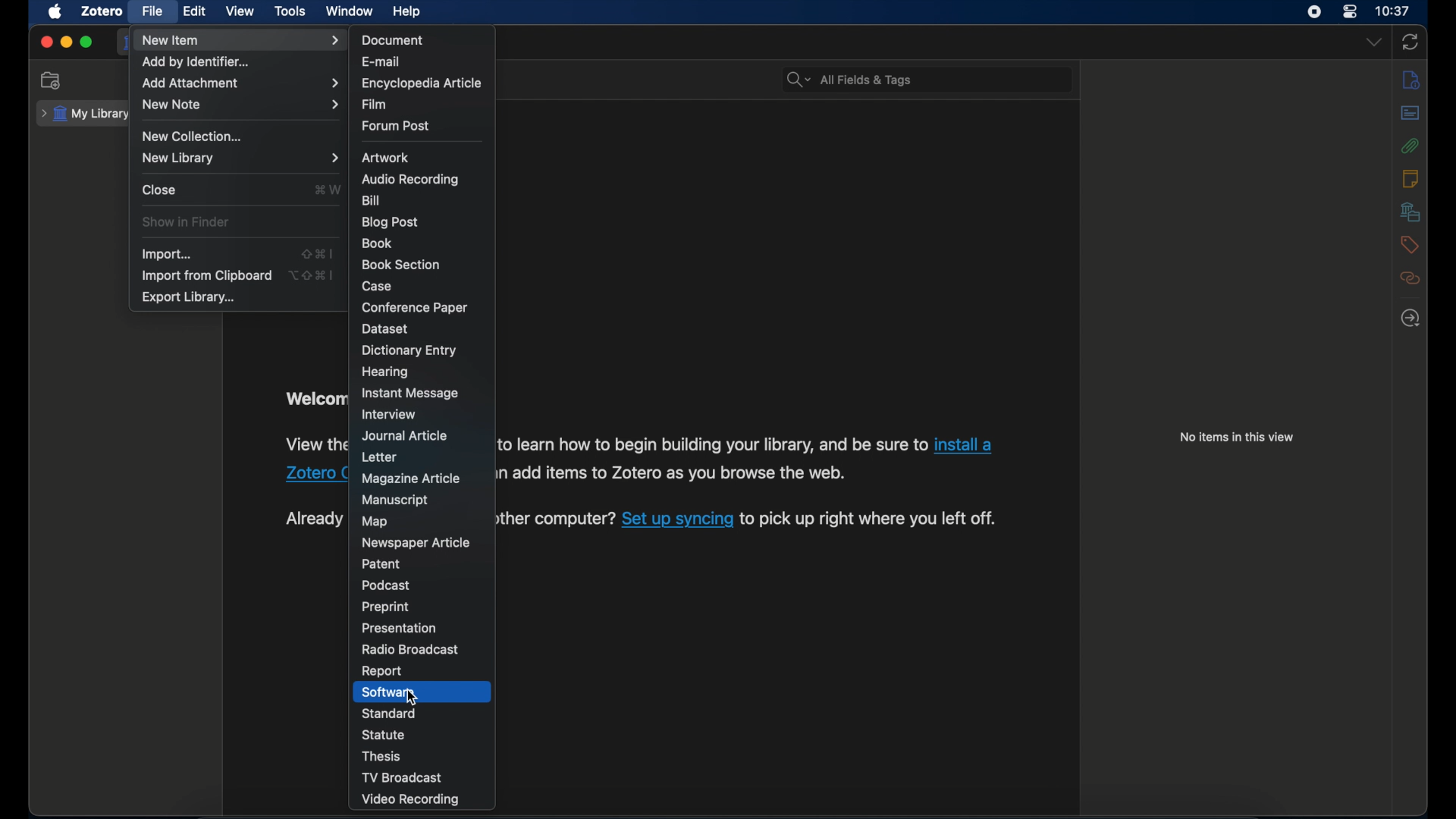  What do you see at coordinates (315, 398) in the screenshot?
I see `welcome to zotero` at bounding box center [315, 398].